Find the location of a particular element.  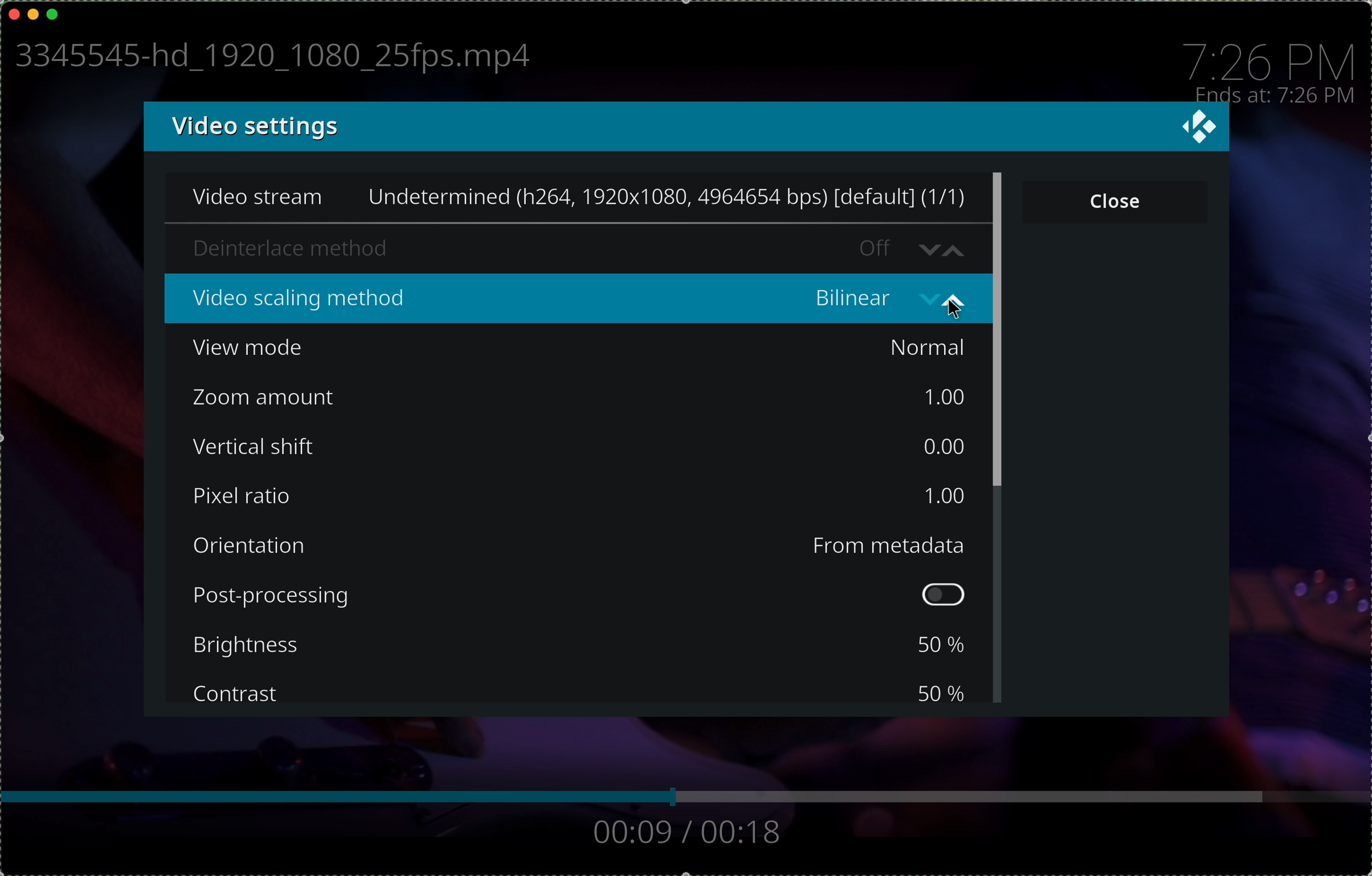

track time is located at coordinates (688, 834).